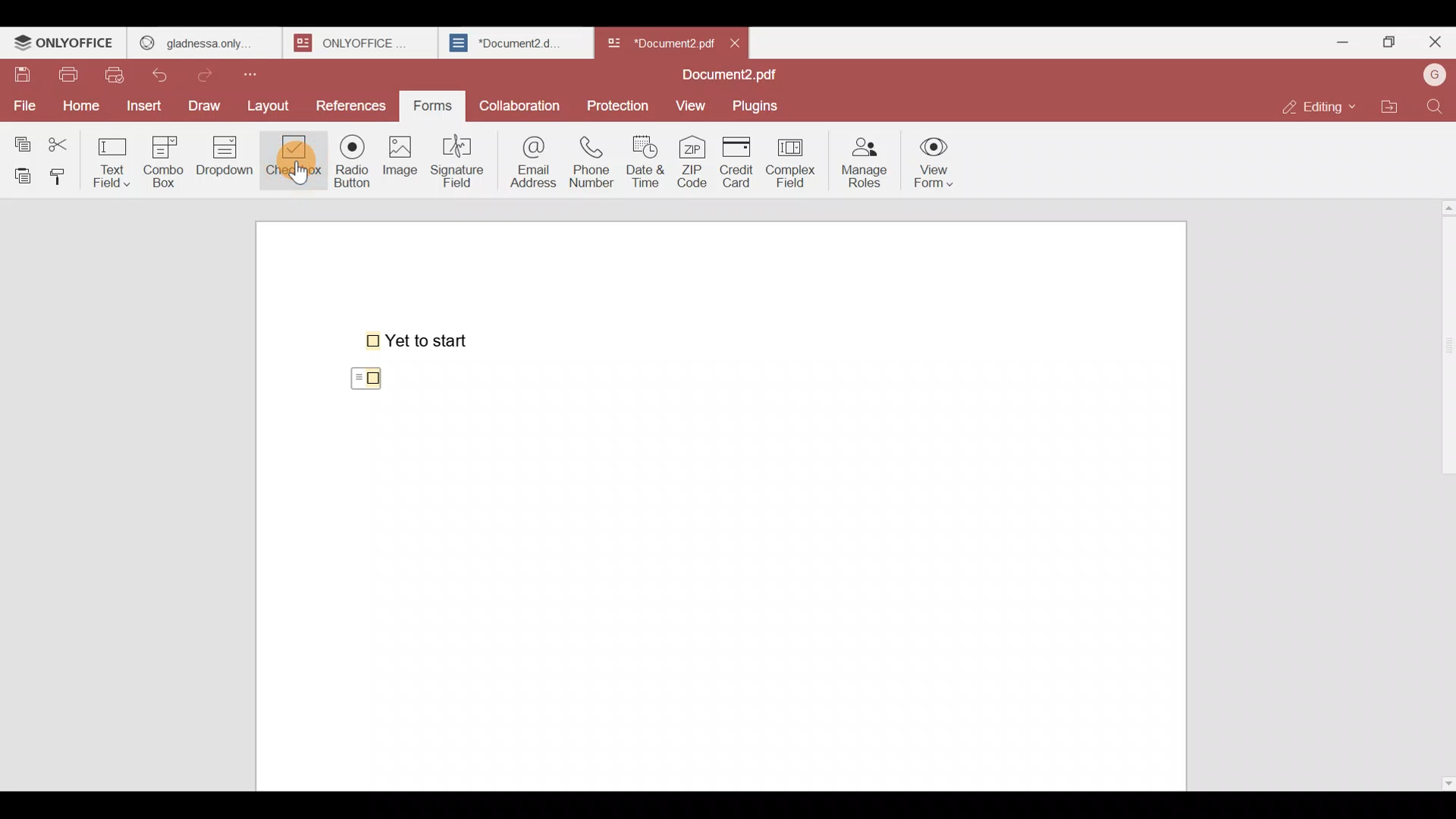 This screenshot has width=1456, height=819. I want to click on Manage roles, so click(864, 158).